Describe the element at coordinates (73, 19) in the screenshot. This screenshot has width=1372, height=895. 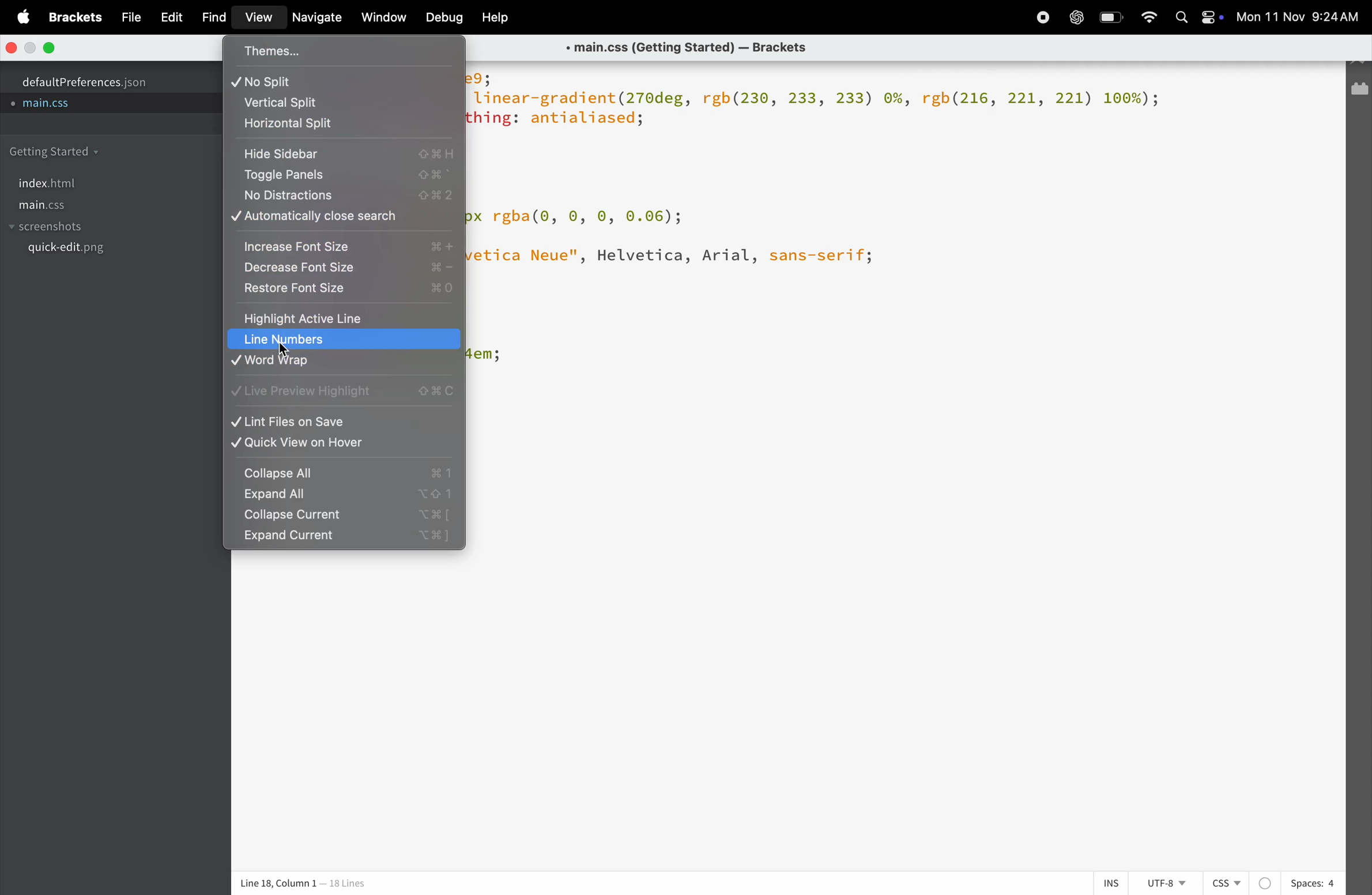
I see `brackets` at that location.